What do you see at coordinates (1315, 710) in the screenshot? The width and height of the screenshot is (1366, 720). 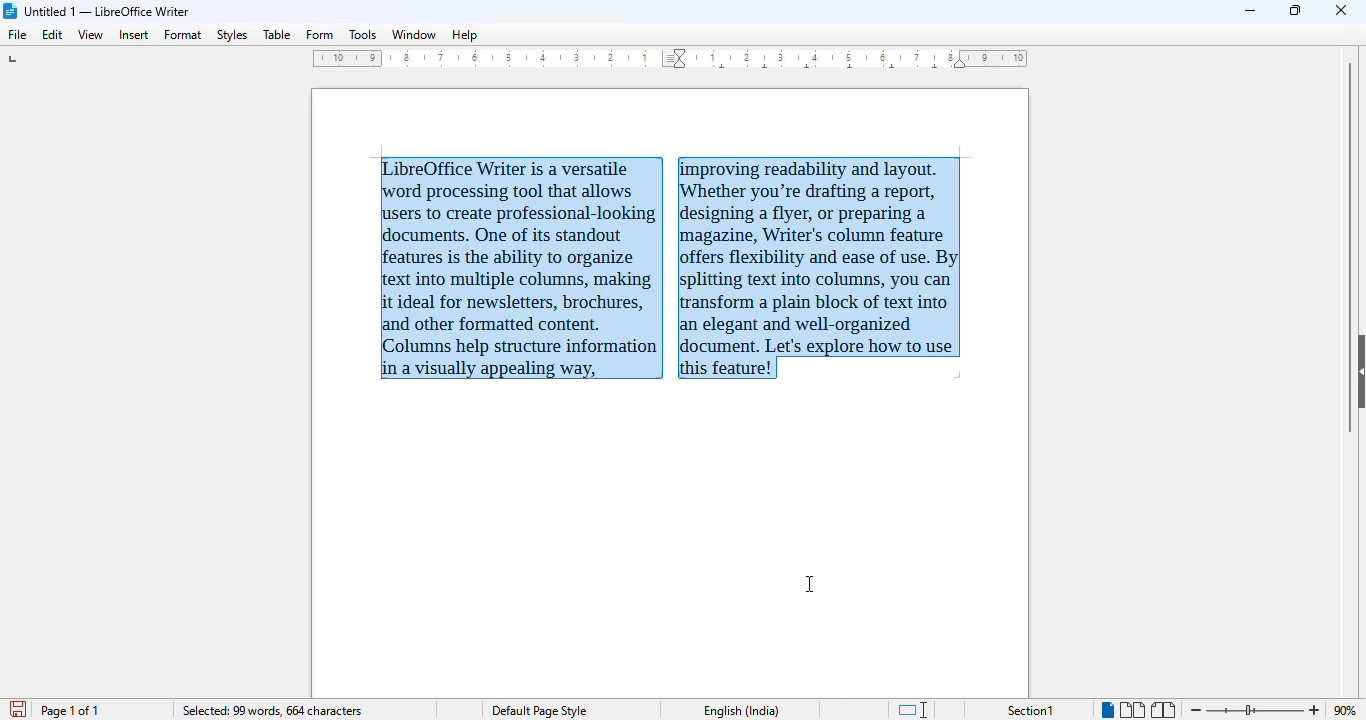 I see `zoom in` at bounding box center [1315, 710].